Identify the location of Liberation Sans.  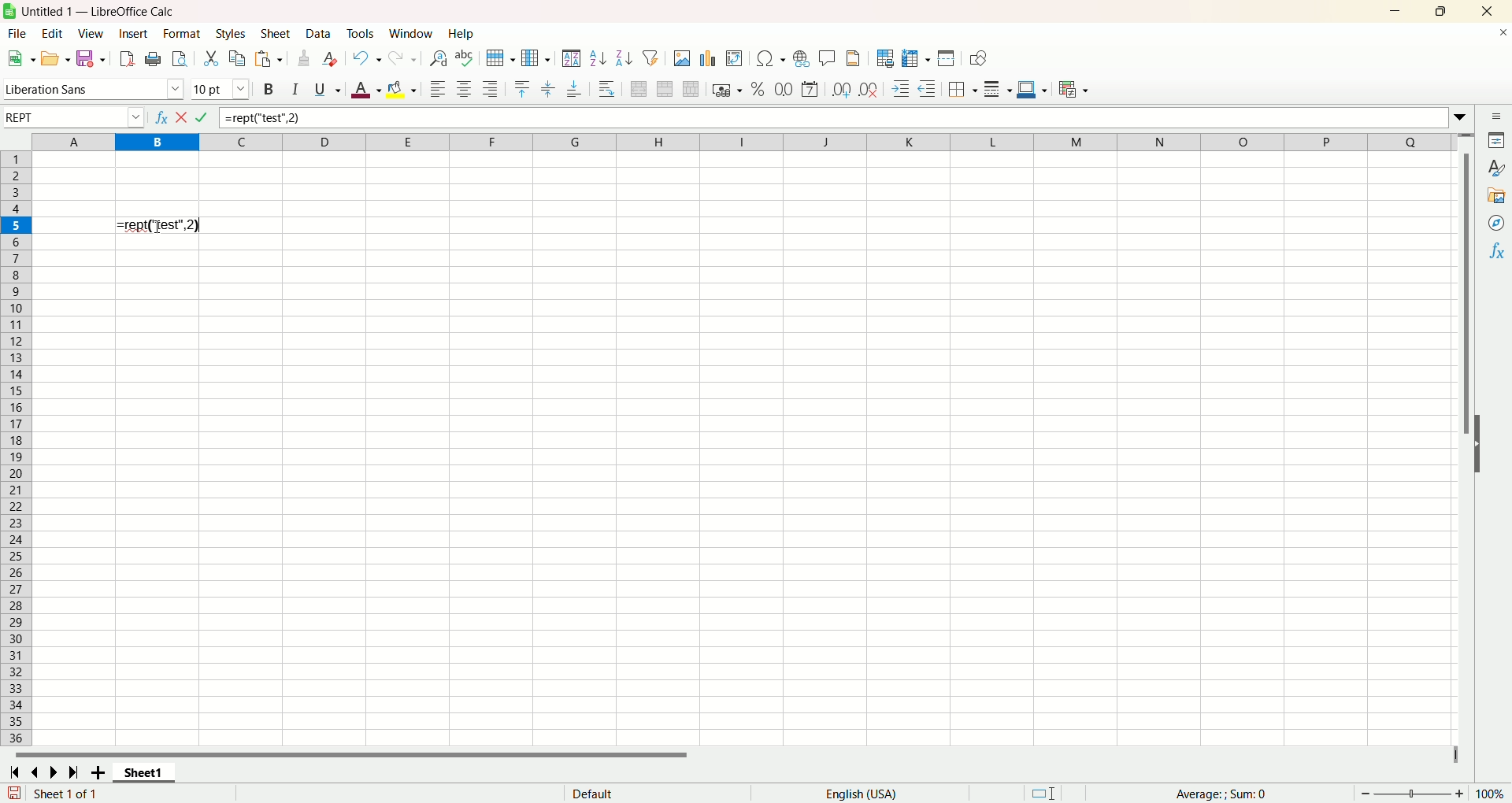
(94, 91).